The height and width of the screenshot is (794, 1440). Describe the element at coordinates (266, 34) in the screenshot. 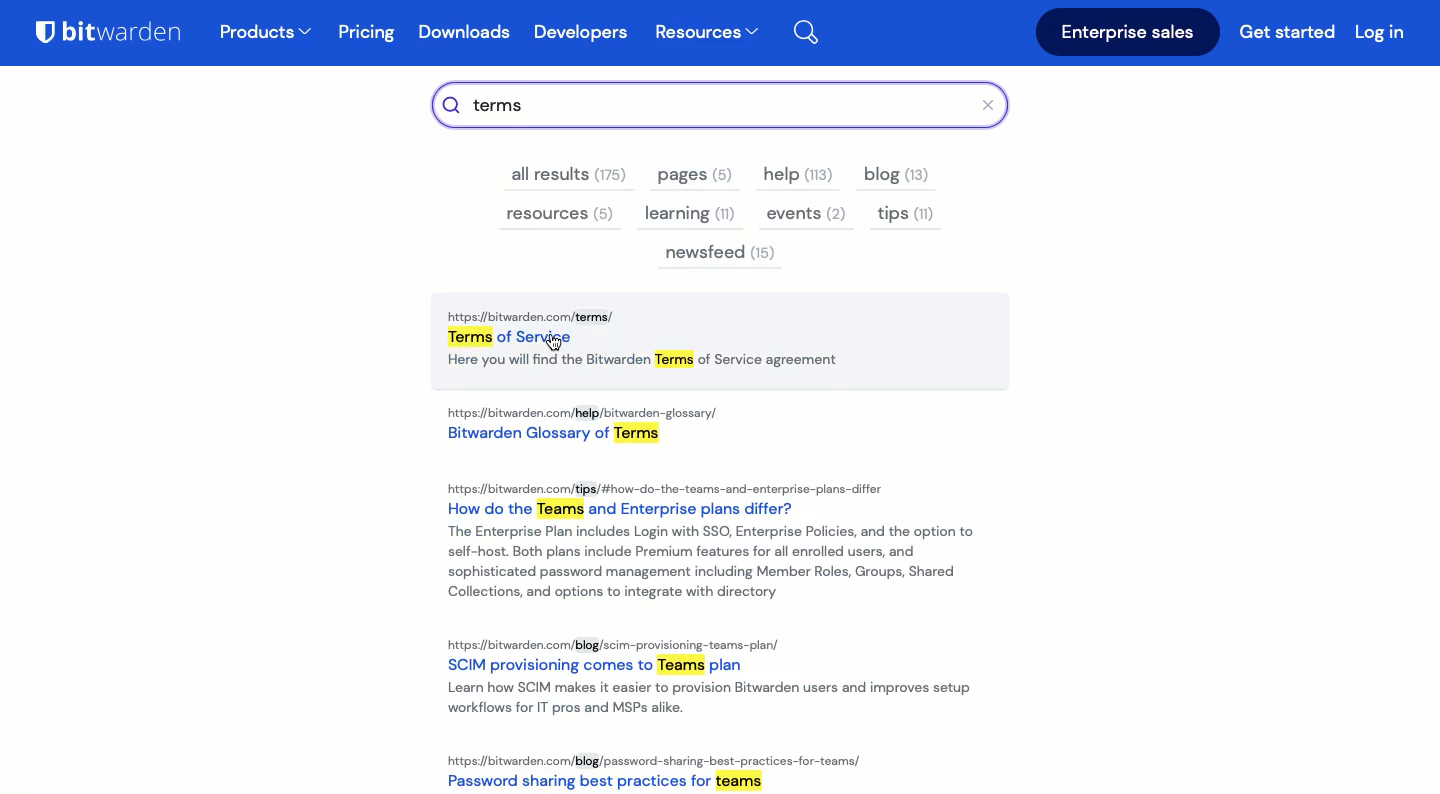

I see `products` at that location.